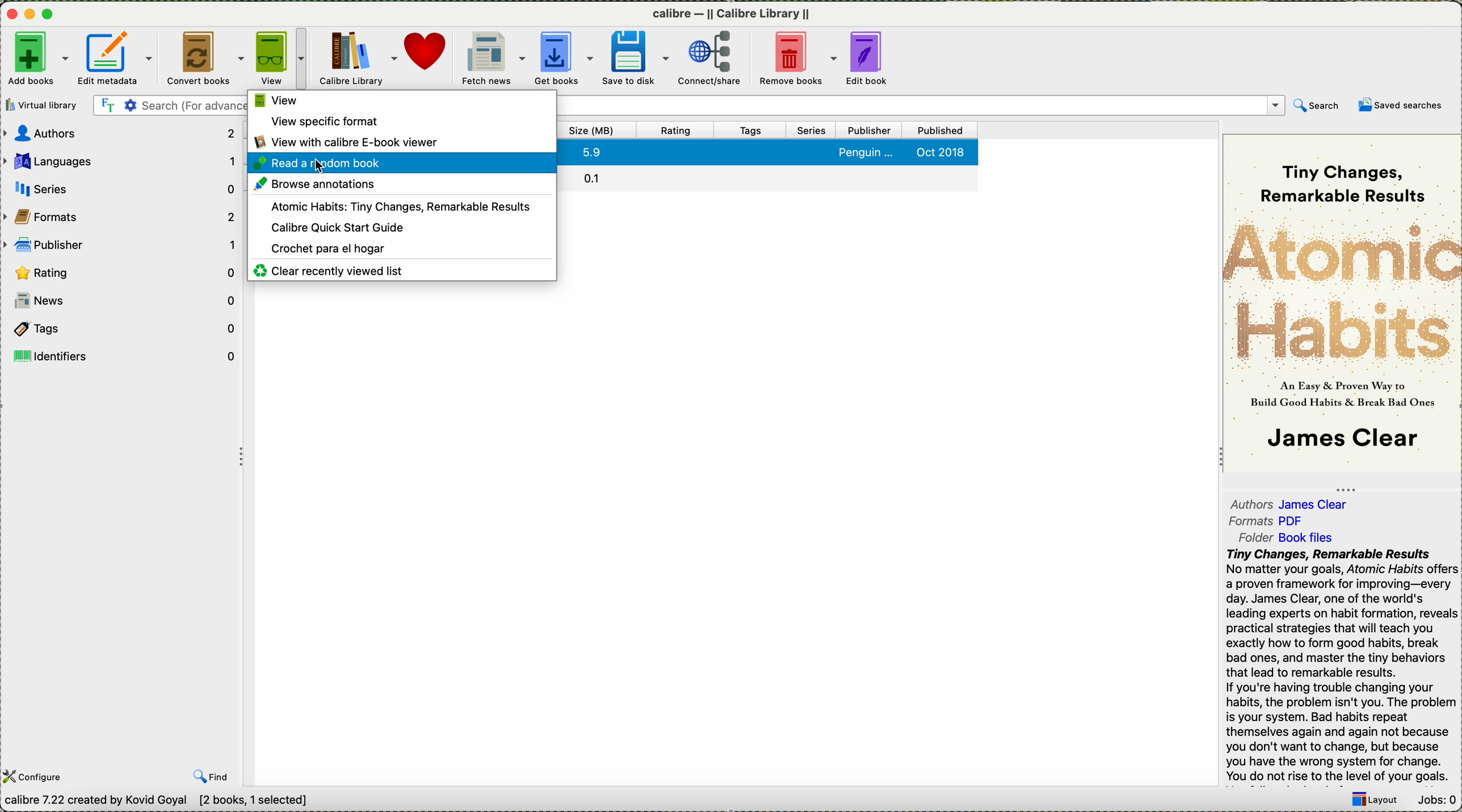 The image size is (1462, 812). What do you see at coordinates (121, 271) in the screenshot?
I see `rating` at bounding box center [121, 271].